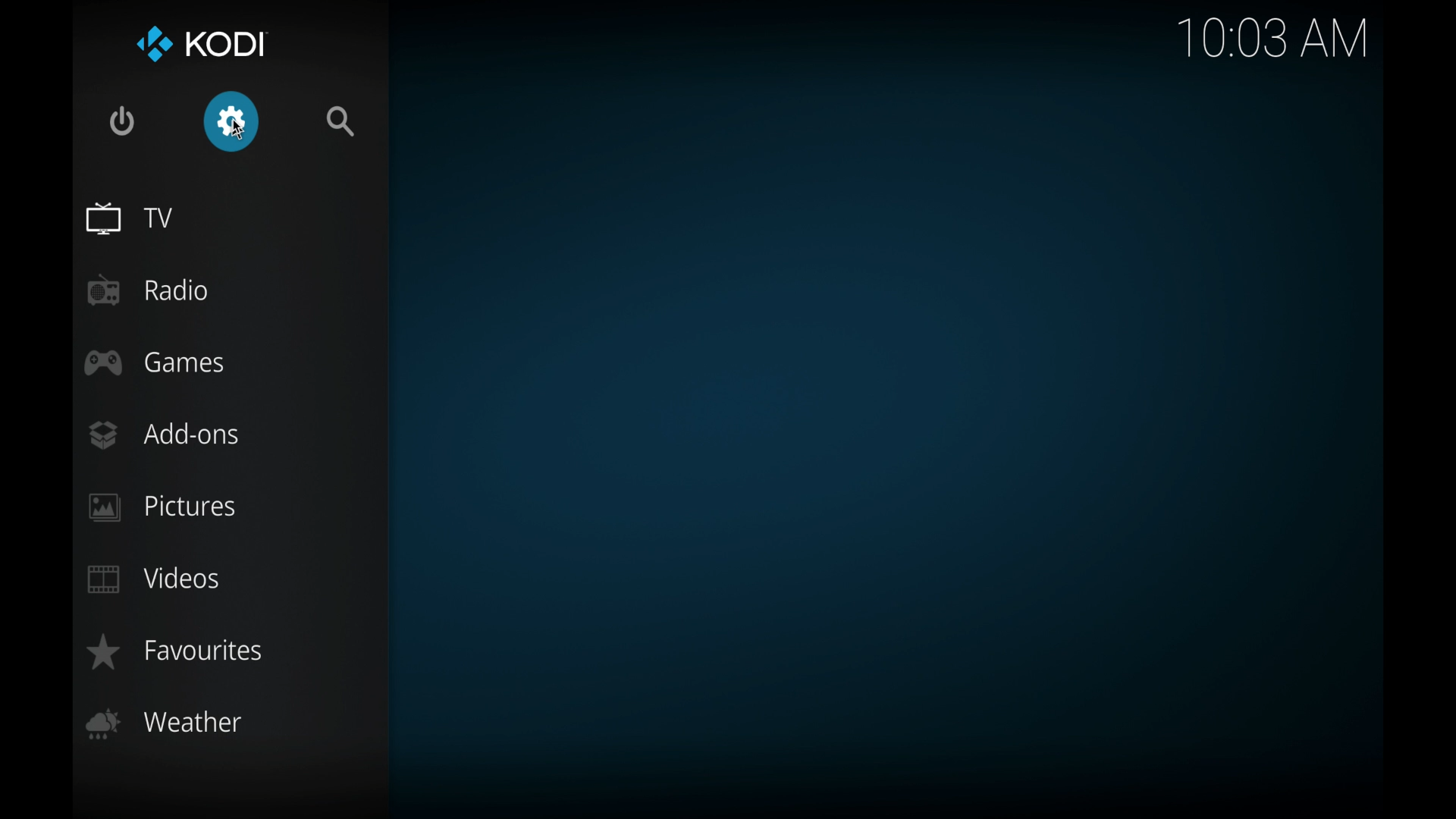  Describe the element at coordinates (165, 723) in the screenshot. I see `weather` at that location.